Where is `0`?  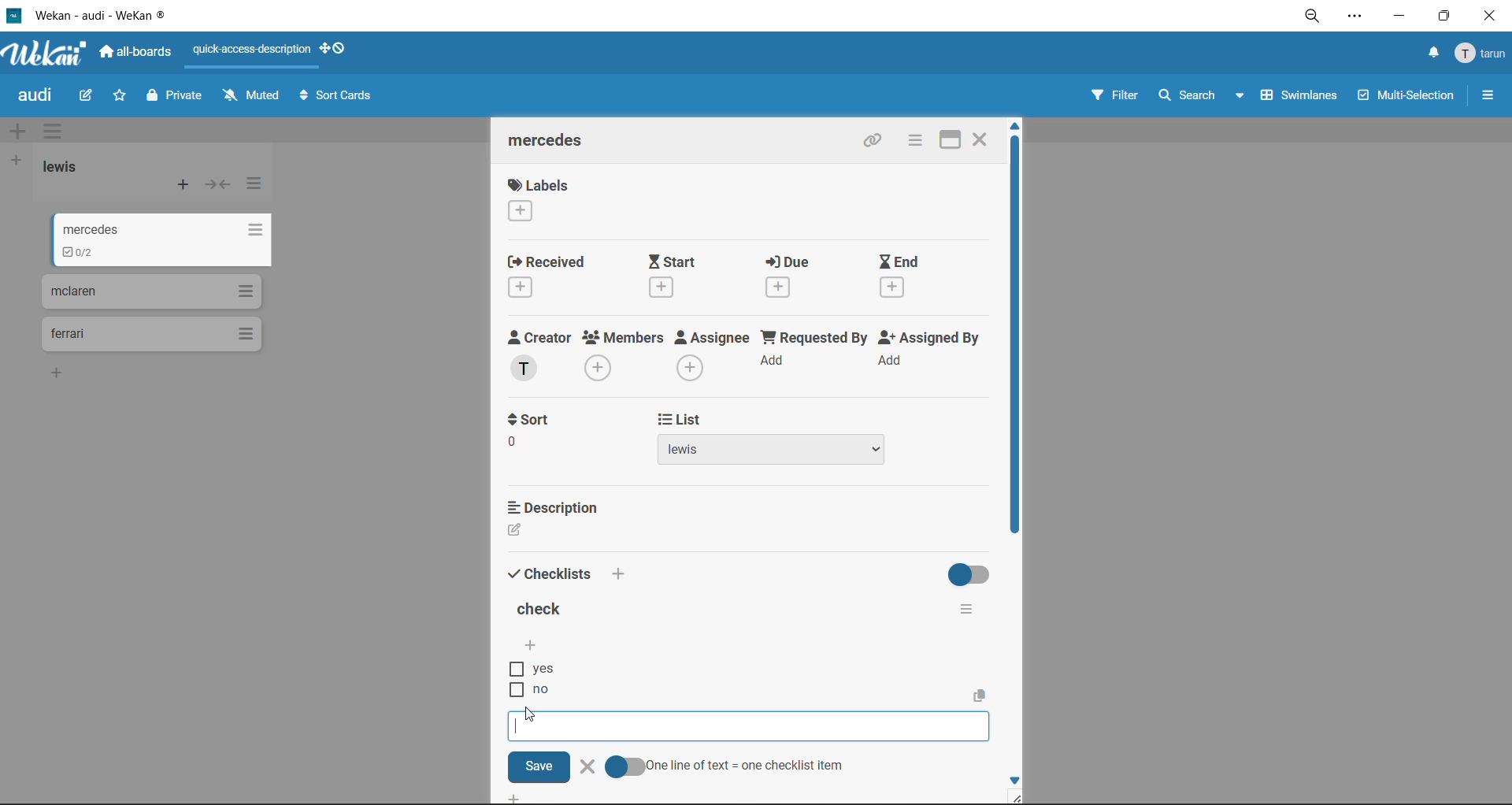 0 is located at coordinates (512, 443).